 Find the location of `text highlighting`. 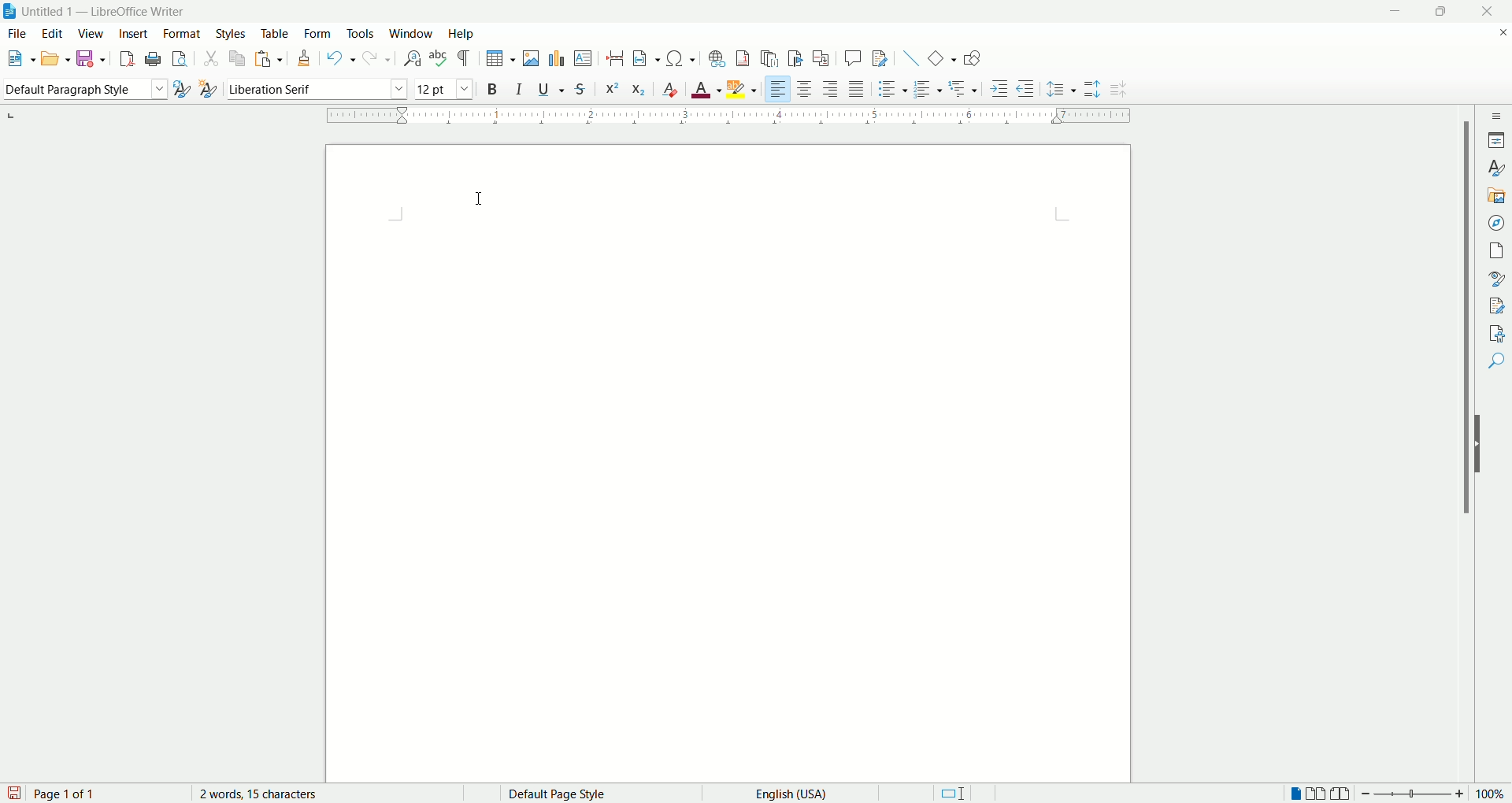

text highlighting is located at coordinates (739, 91).